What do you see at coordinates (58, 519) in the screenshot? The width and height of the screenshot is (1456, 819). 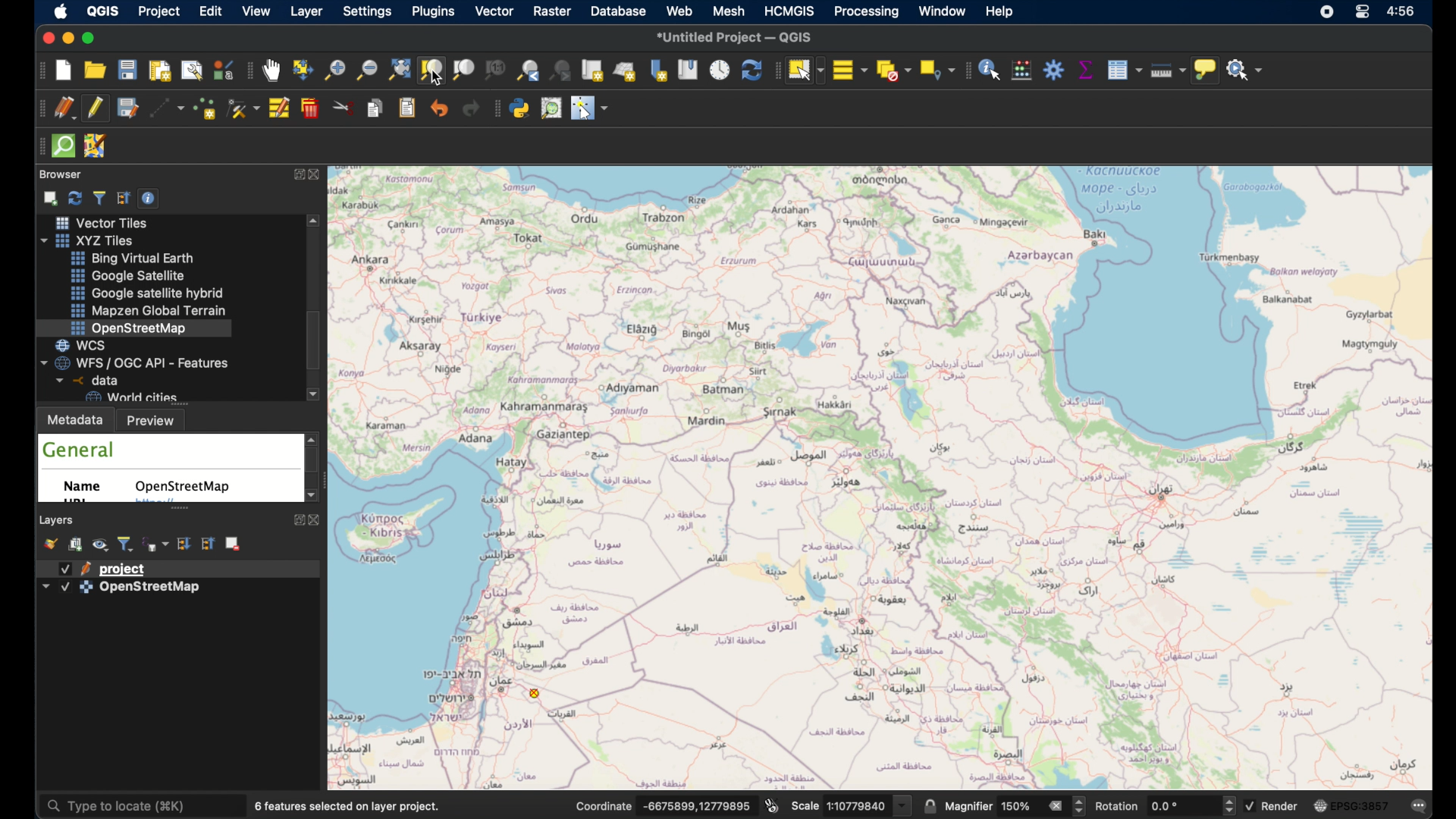 I see `layers` at bounding box center [58, 519].